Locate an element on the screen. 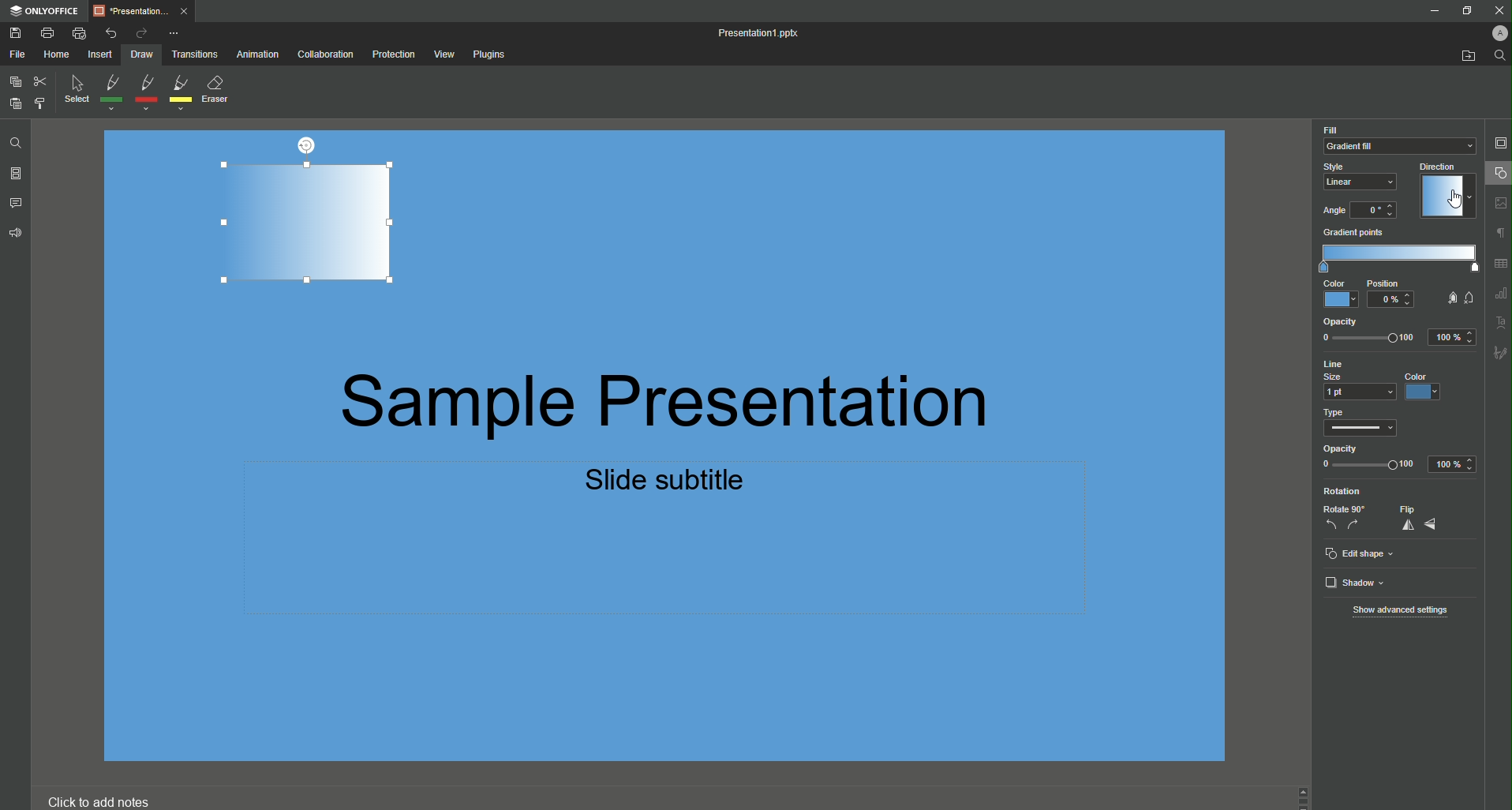  Flip is located at coordinates (1417, 519).